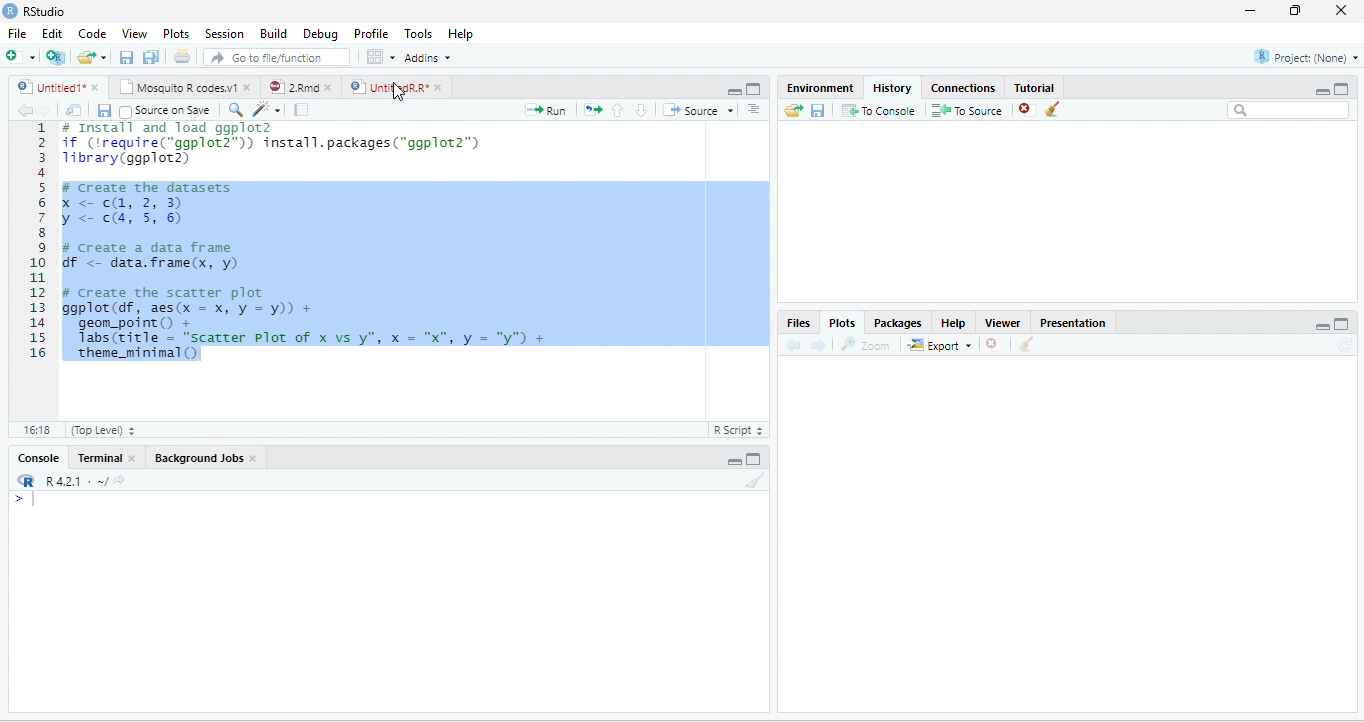 Image resolution: width=1364 pixels, height=722 pixels. Describe the element at coordinates (34, 429) in the screenshot. I see `1:1` at that location.